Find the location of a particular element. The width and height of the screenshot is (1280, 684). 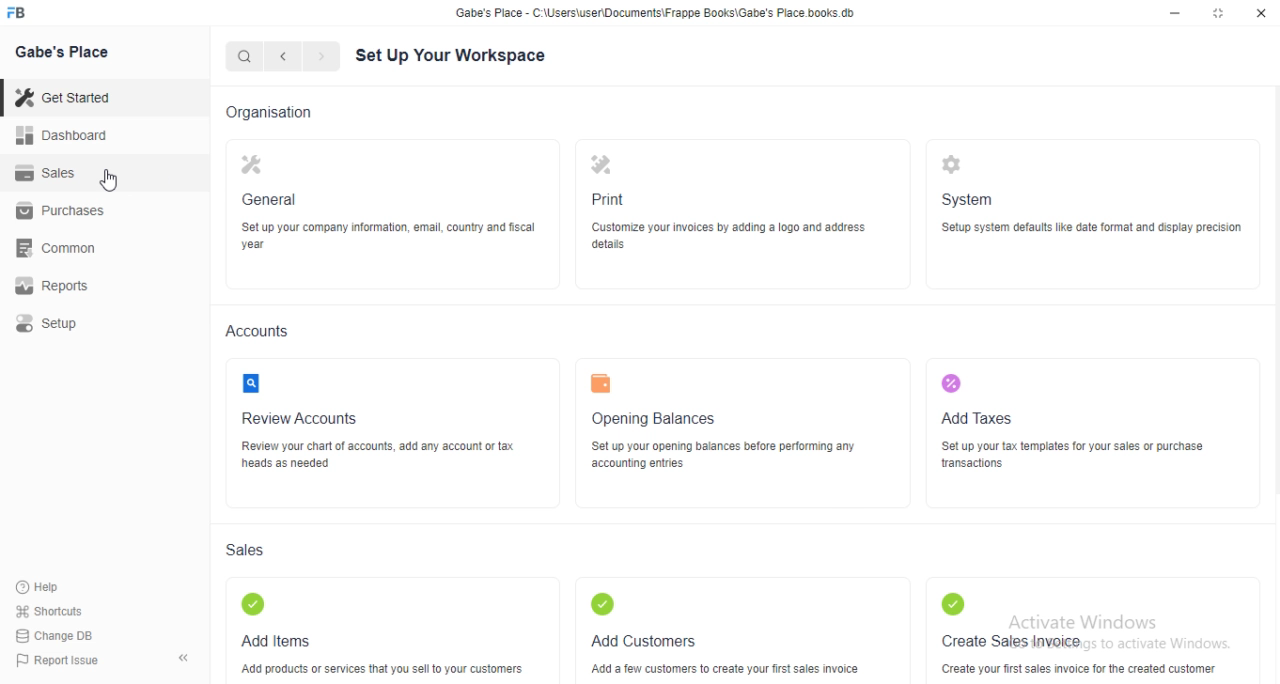

Add a few customers to create your first sales invoice is located at coordinates (724, 666).